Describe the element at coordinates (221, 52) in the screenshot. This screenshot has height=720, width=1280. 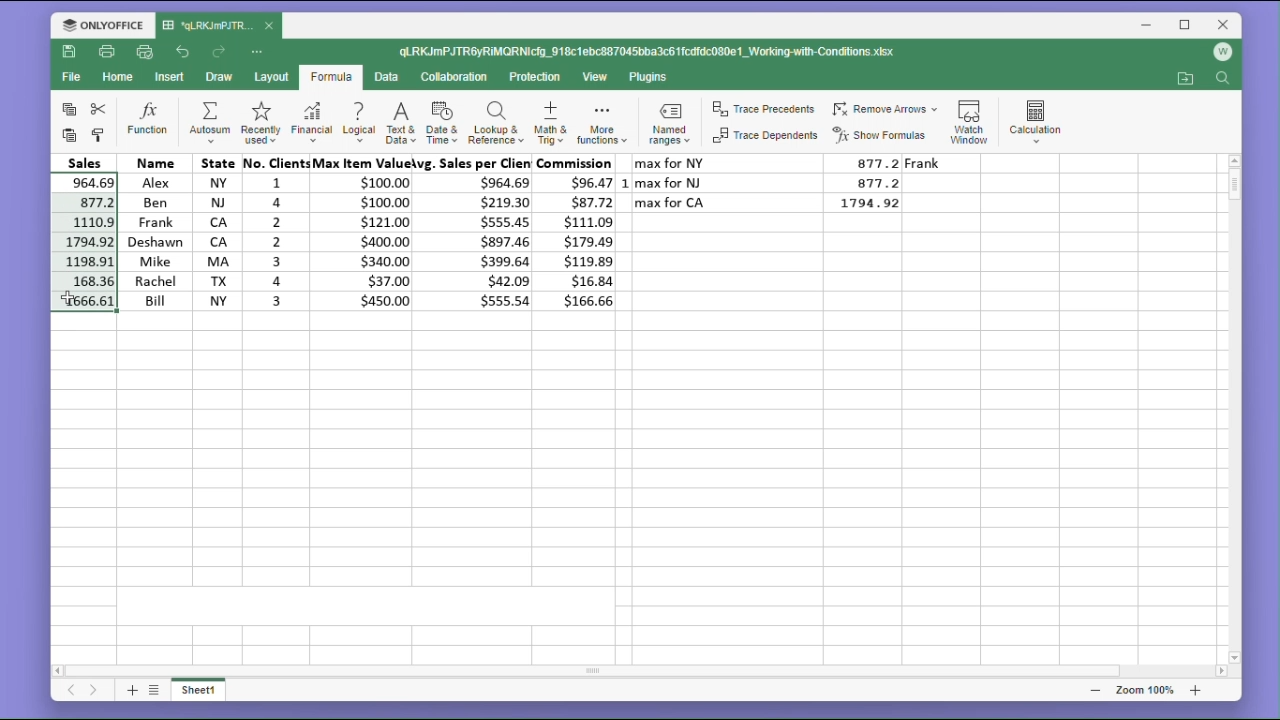
I see `redo` at that location.